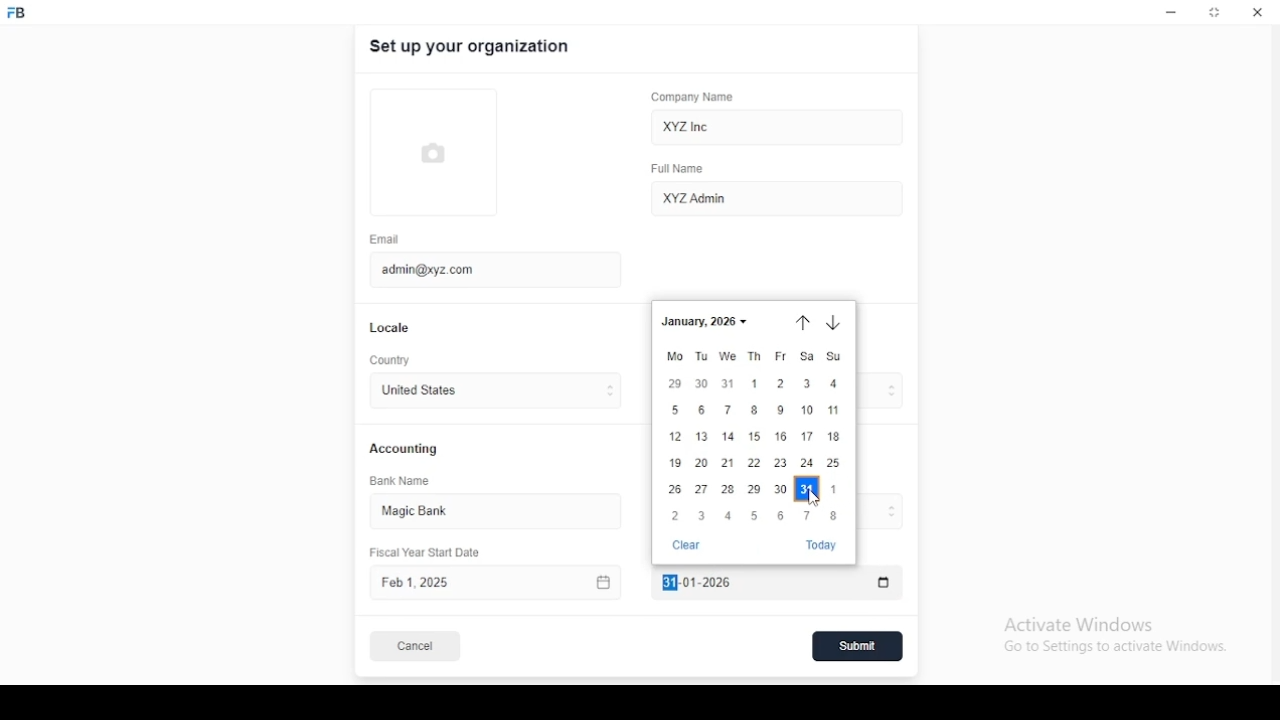  What do you see at coordinates (415, 647) in the screenshot?
I see `cancel` at bounding box center [415, 647].